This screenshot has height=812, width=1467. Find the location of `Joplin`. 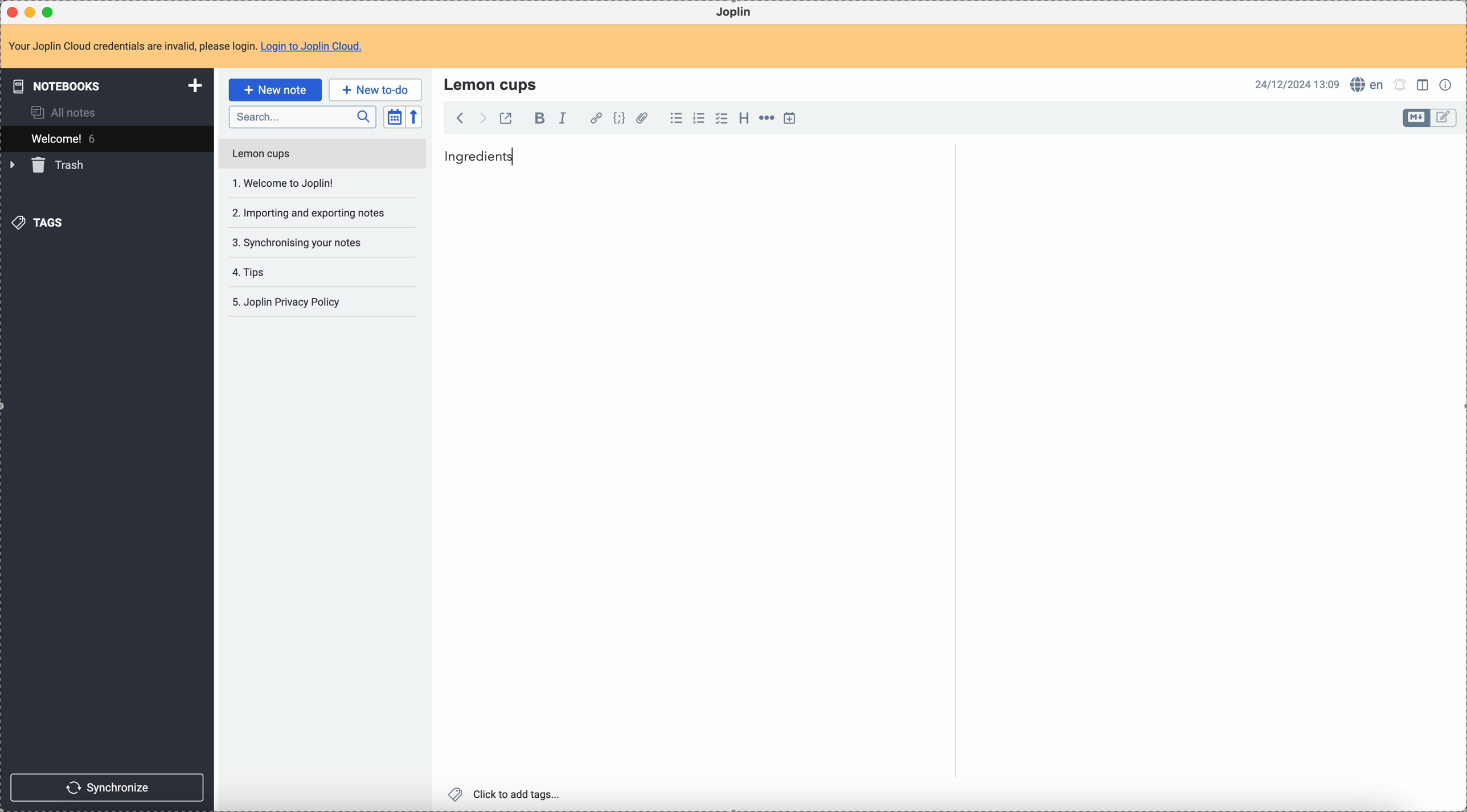

Joplin is located at coordinates (733, 13).